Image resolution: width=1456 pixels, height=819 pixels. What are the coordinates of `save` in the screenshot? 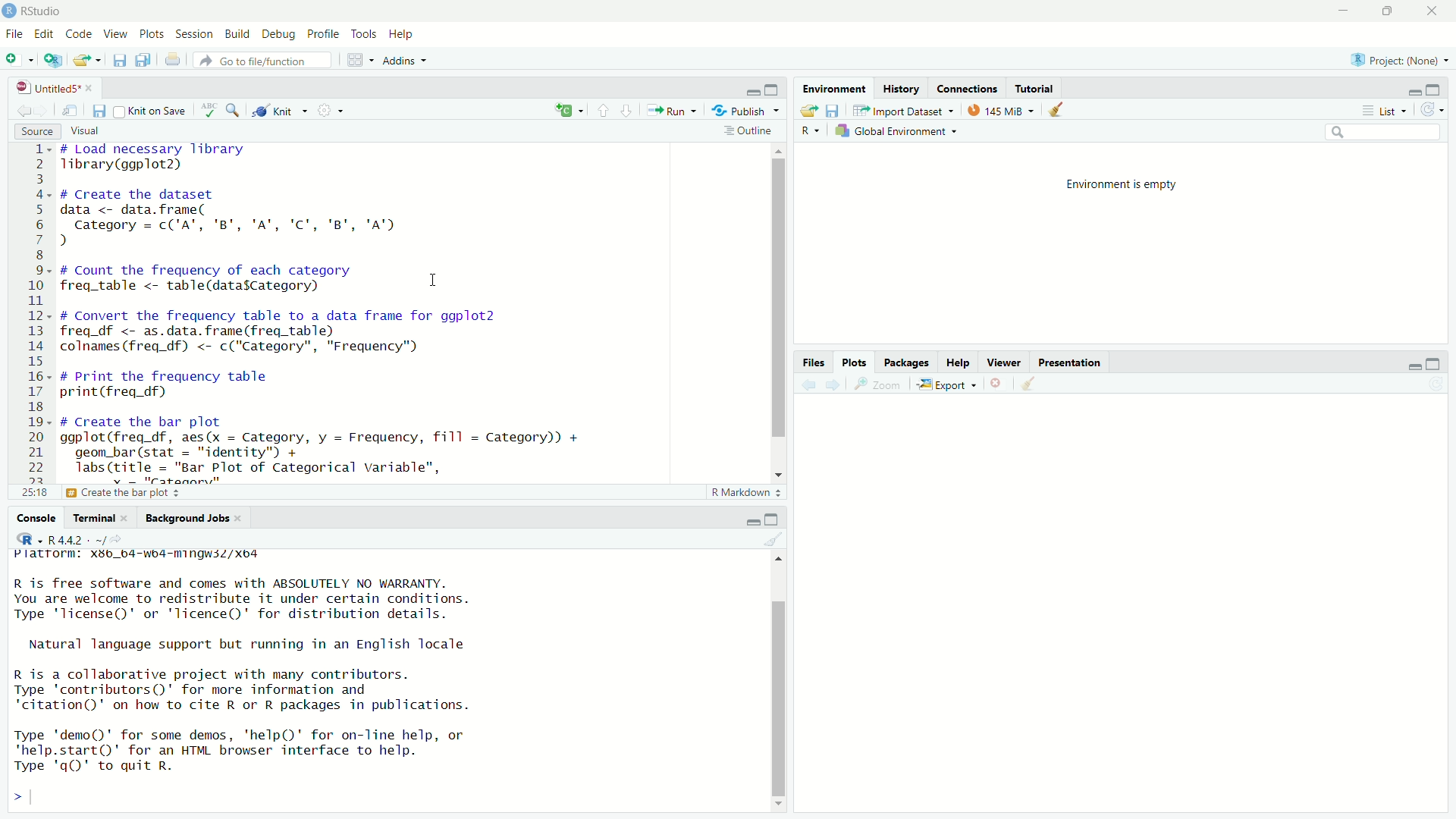 It's located at (834, 111).